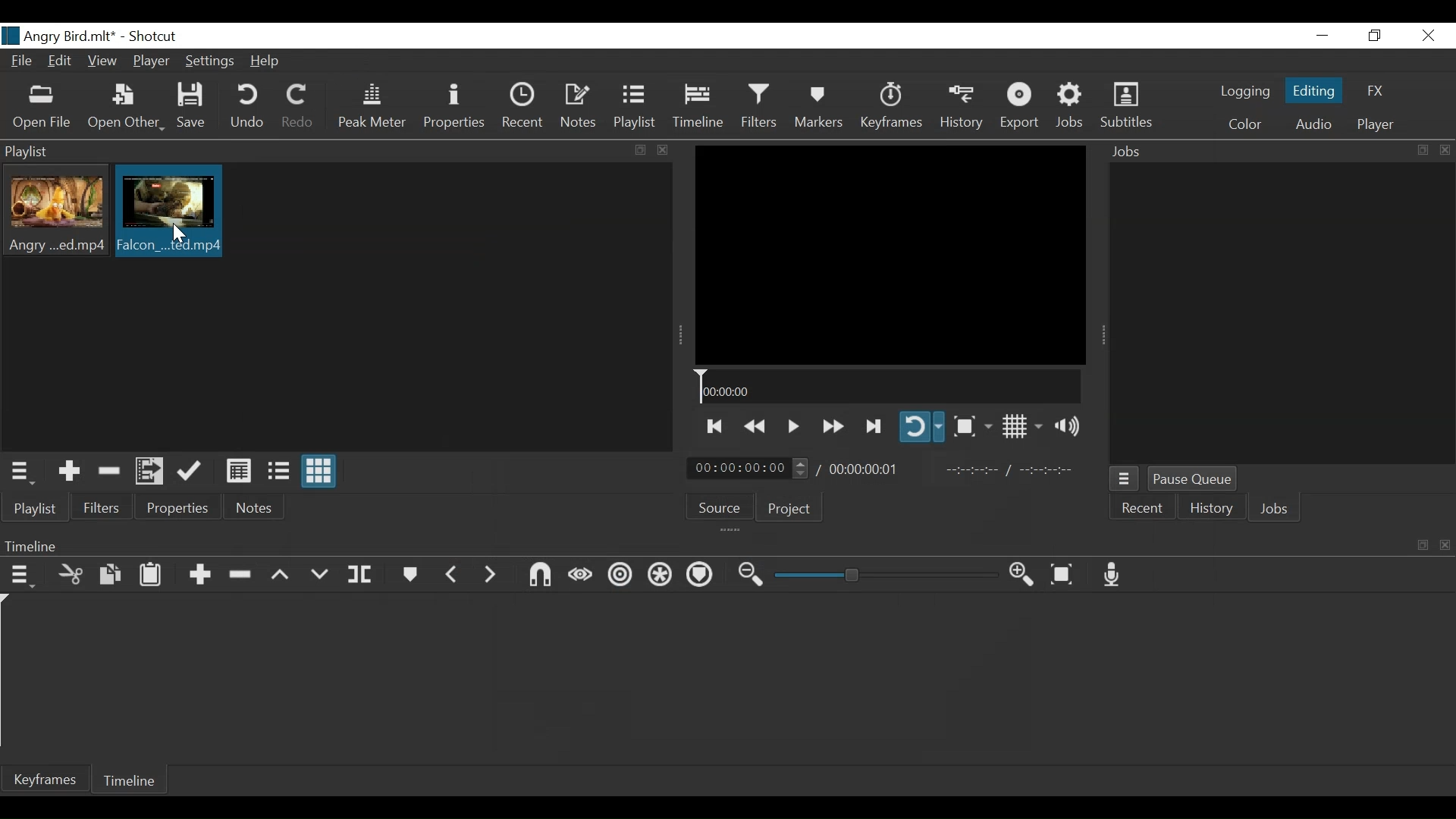 The height and width of the screenshot is (819, 1456). What do you see at coordinates (1026, 576) in the screenshot?
I see `Zoom timeline in` at bounding box center [1026, 576].